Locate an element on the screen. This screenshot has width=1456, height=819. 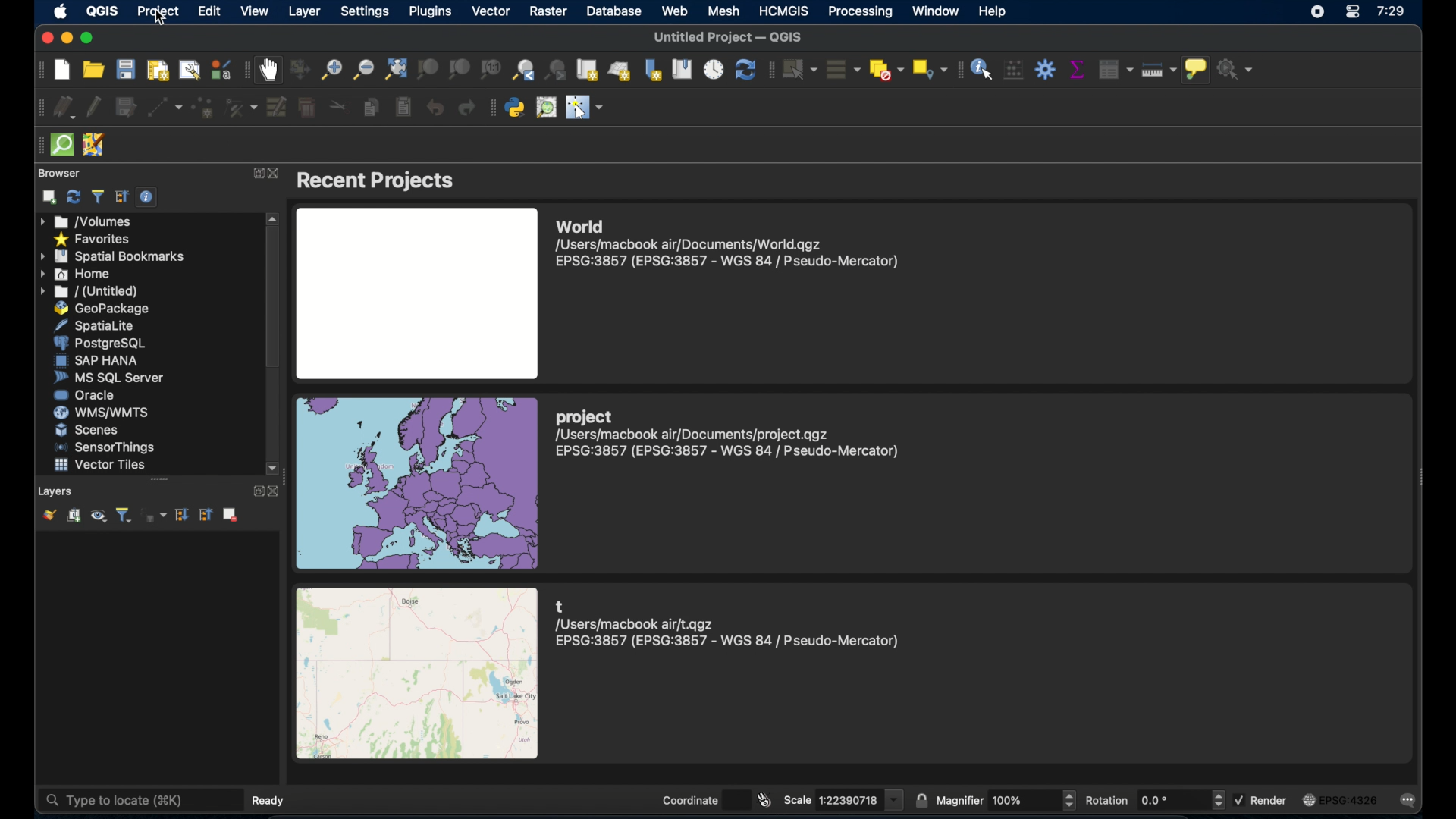
toolbox is located at coordinates (1046, 69).